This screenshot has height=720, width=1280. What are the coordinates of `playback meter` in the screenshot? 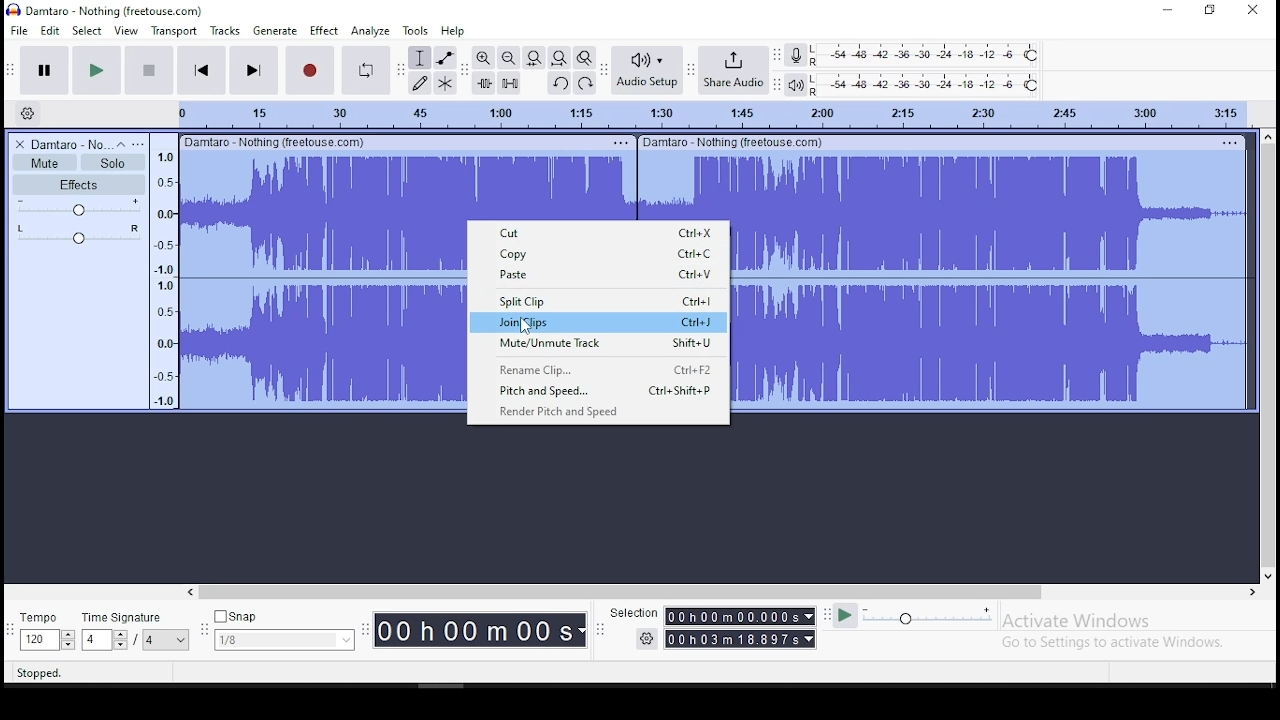 It's located at (794, 84).